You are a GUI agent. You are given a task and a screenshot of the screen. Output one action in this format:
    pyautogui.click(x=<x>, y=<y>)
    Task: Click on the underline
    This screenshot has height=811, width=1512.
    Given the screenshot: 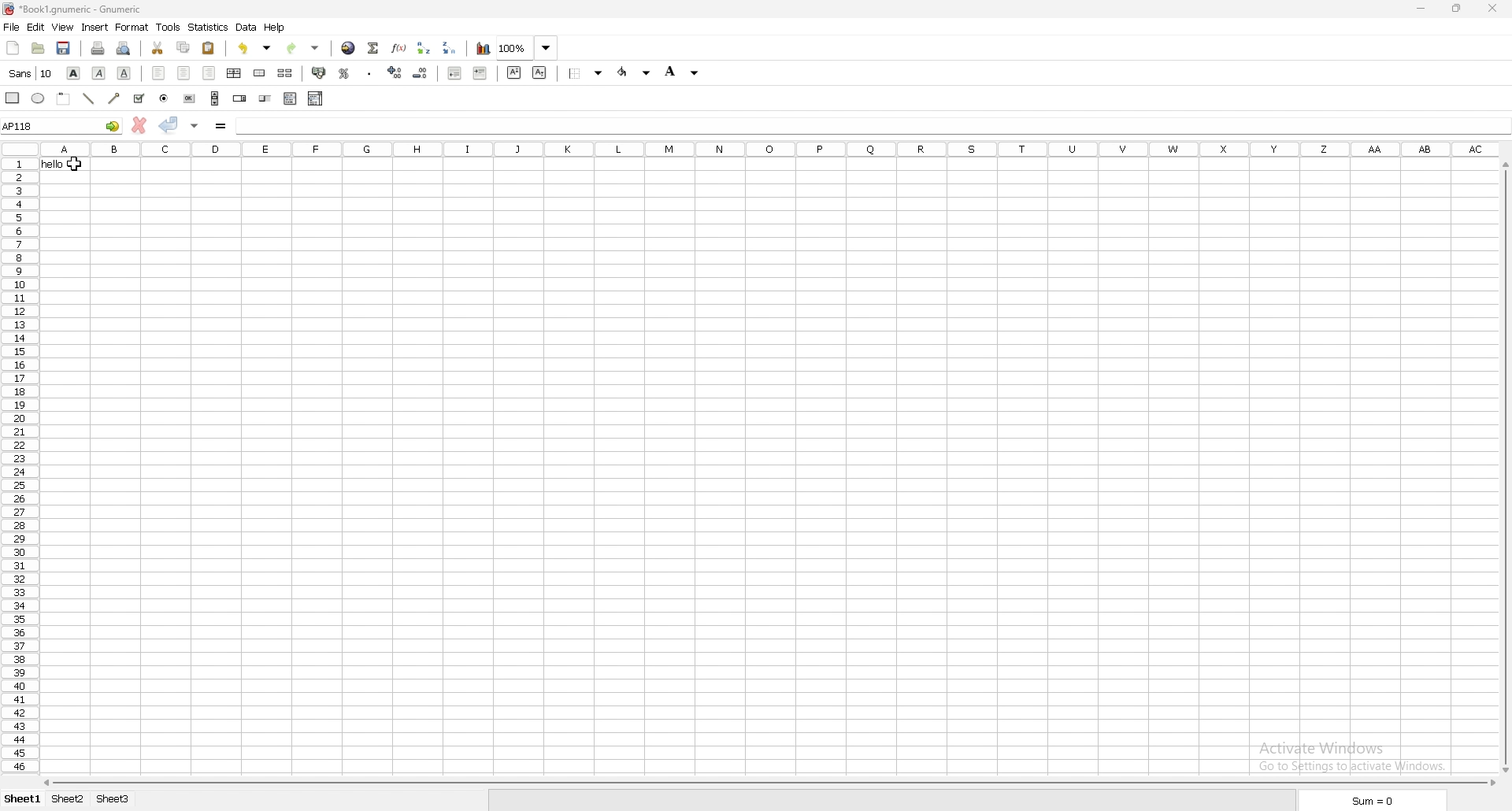 What is the action you would take?
    pyautogui.click(x=124, y=73)
    